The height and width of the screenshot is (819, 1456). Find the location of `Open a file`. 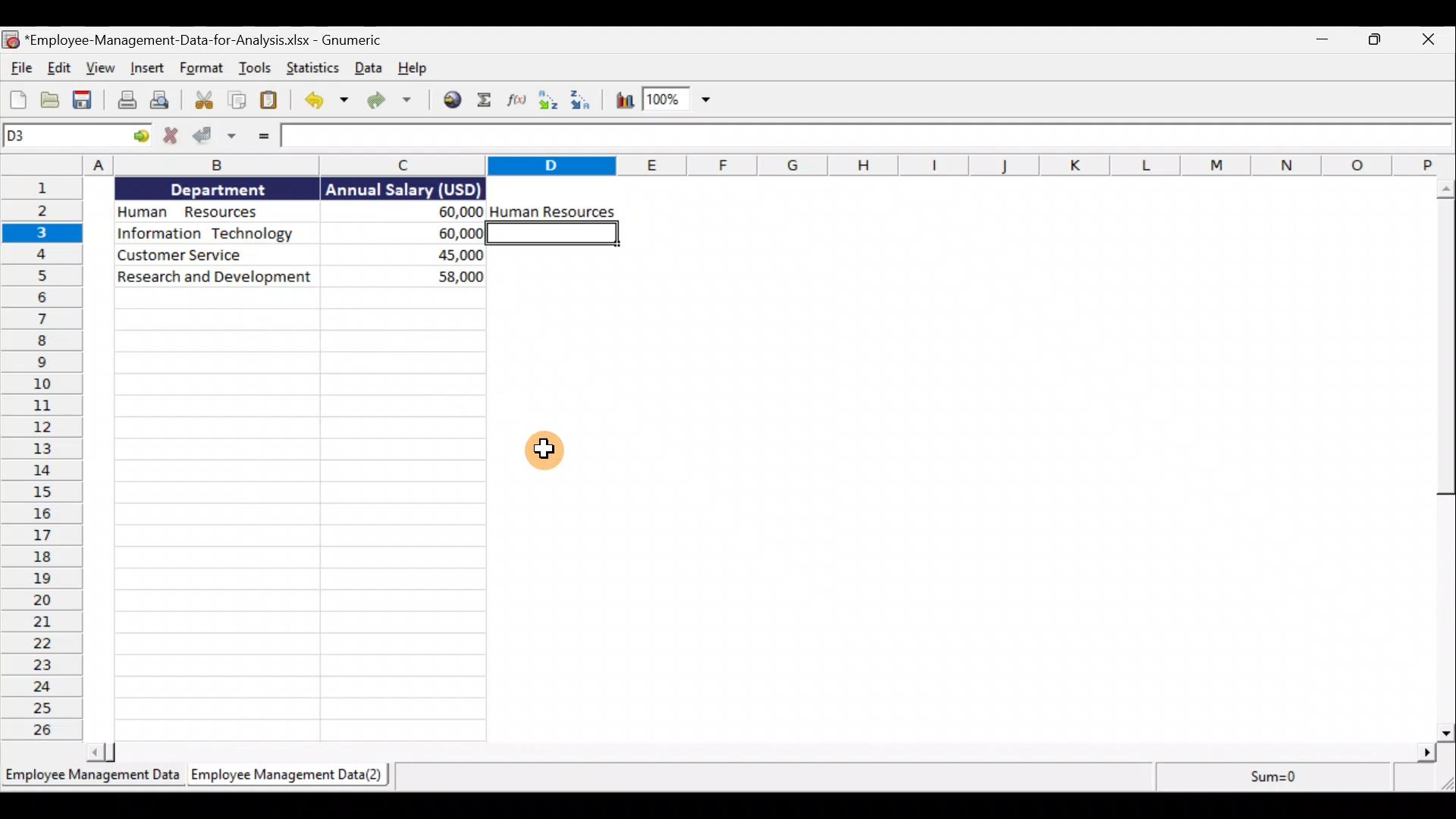

Open a file is located at coordinates (53, 99).